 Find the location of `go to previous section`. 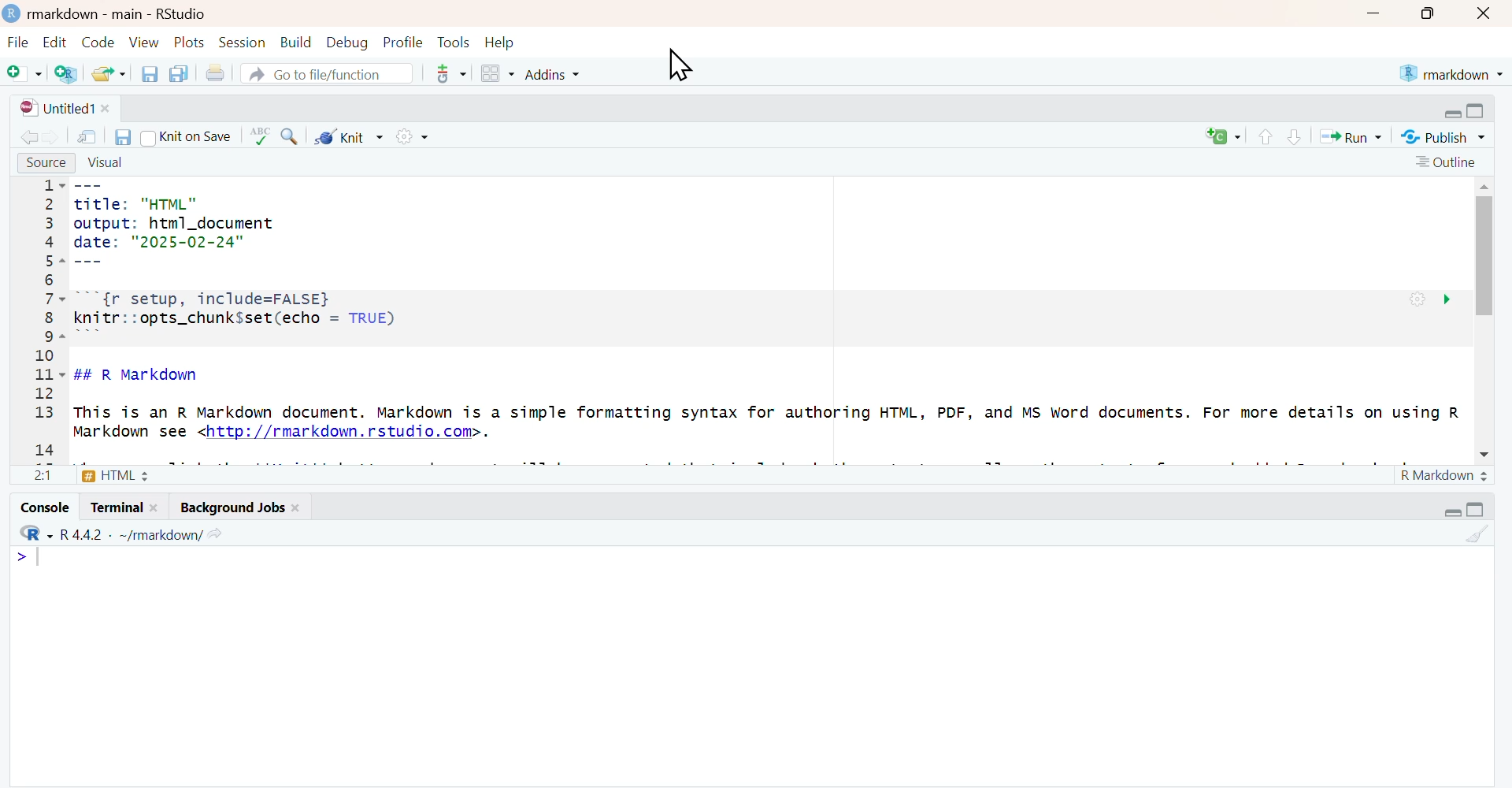

go to previous section is located at coordinates (1266, 138).